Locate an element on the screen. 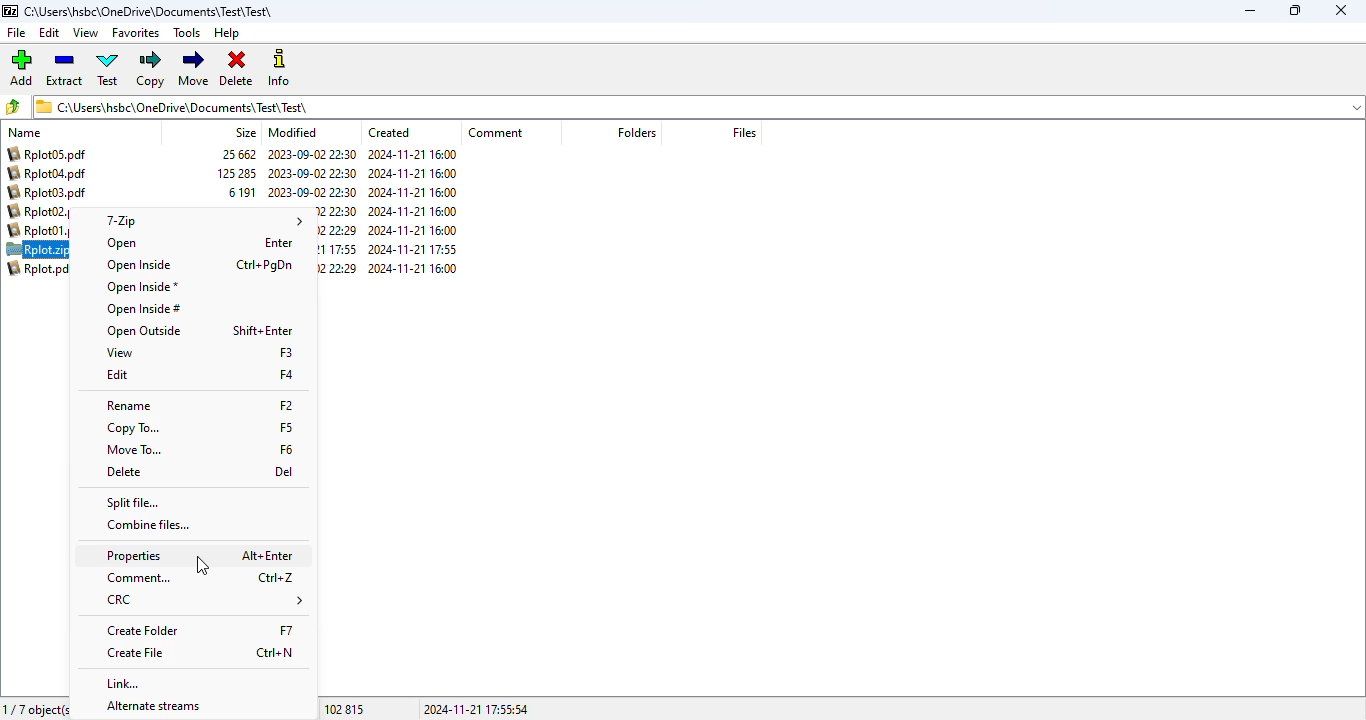 The height and width of the screenshot is (720, 1366). shortcut for rename is located at coordinates (287, 404).